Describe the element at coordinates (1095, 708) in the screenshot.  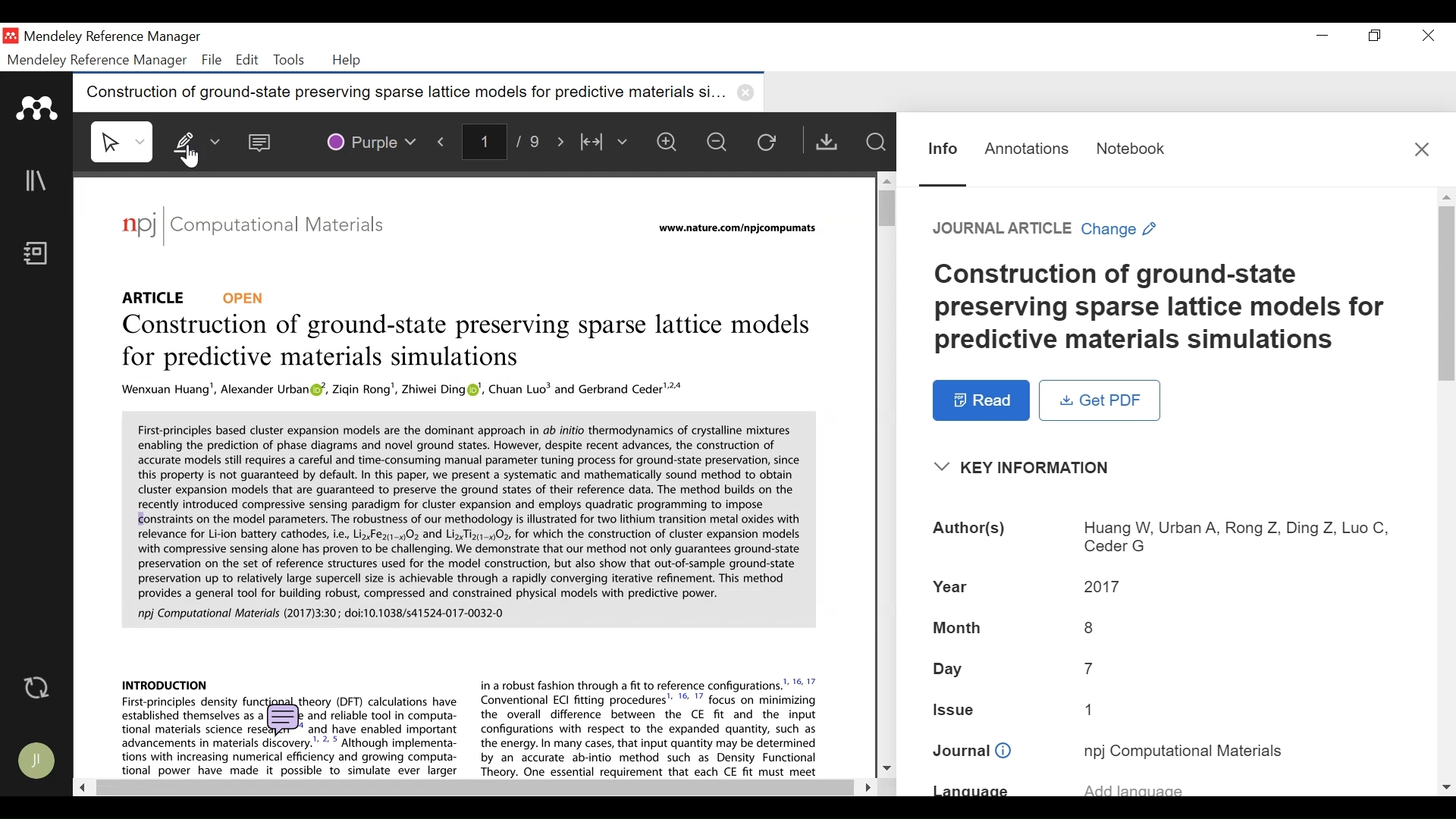
I see `Issue` at that location.